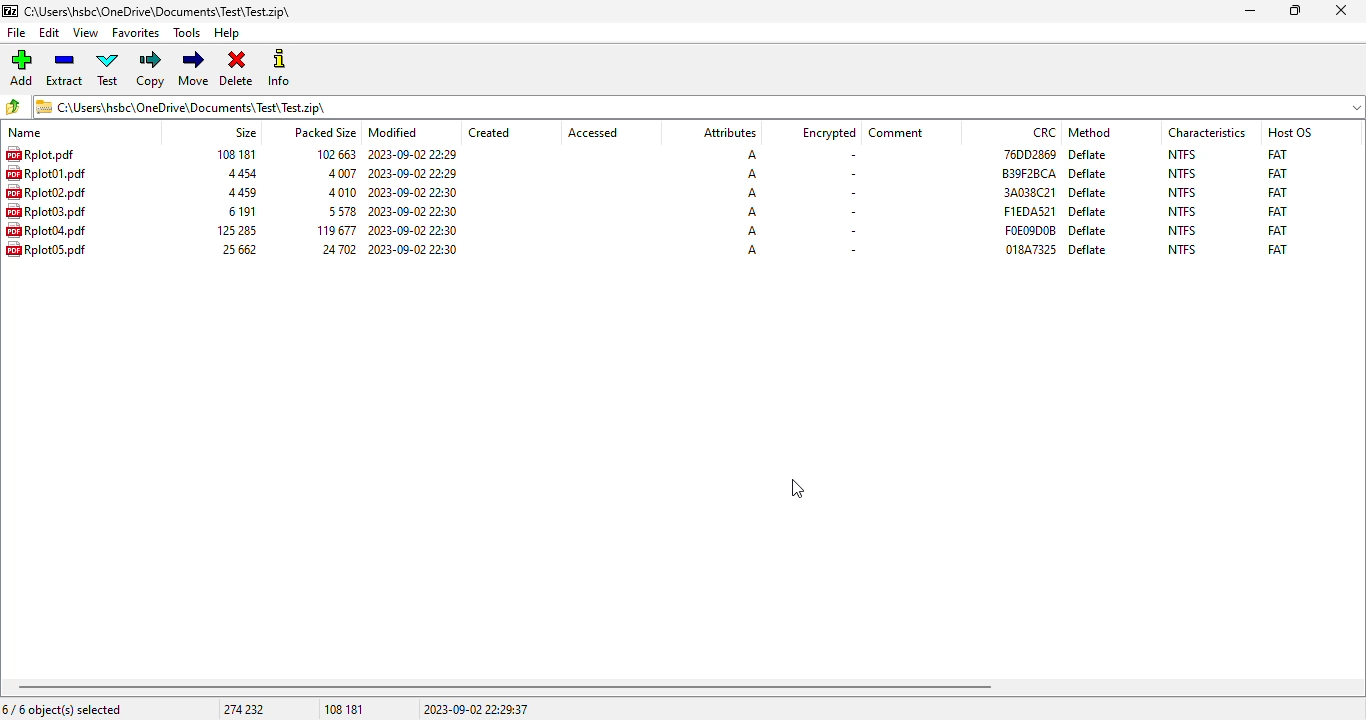  I want to click on modified date & time, so click(413, 230).